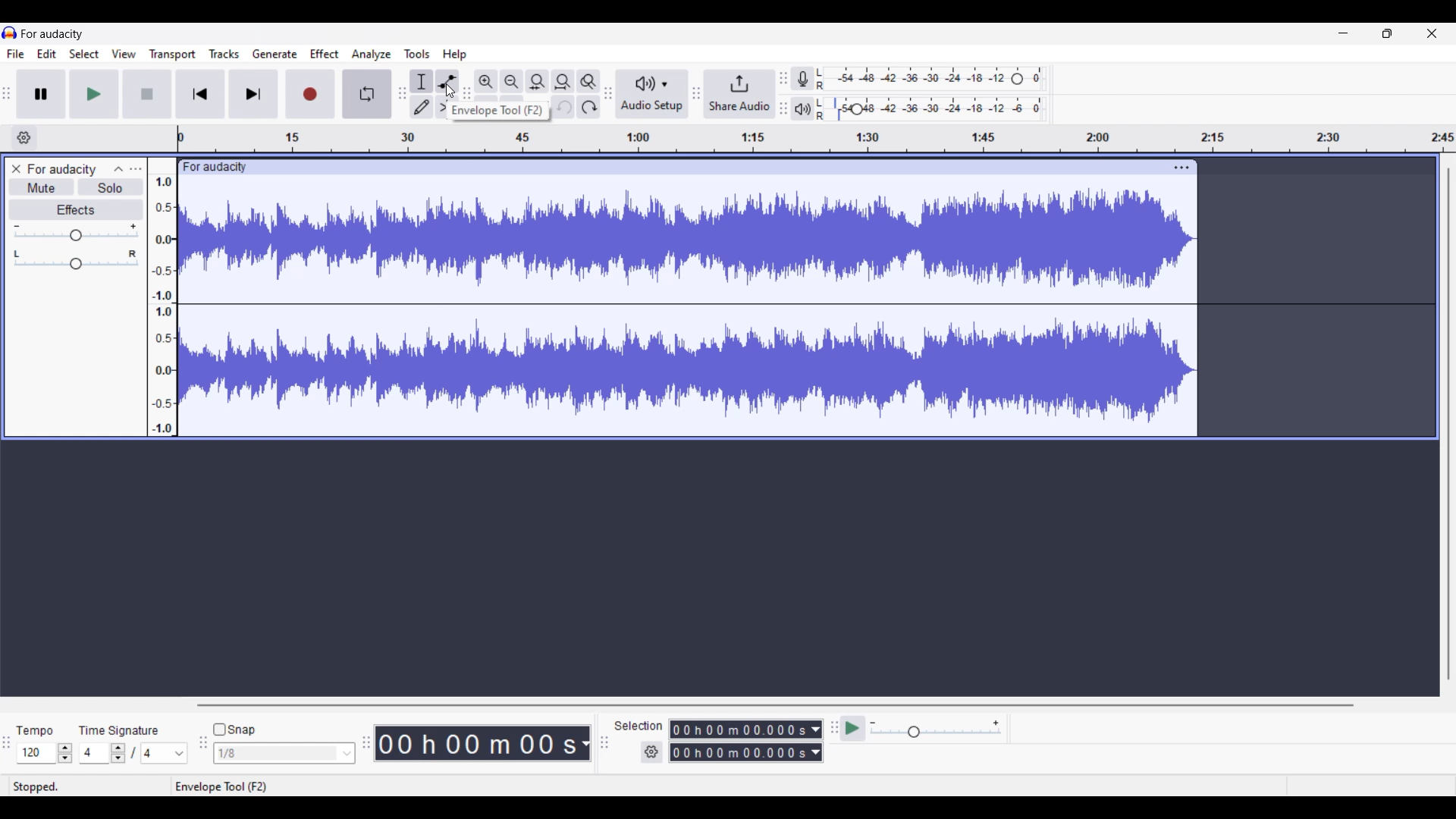 The width and height of the screenshot is (1456, 819). What do you see at coordinates (802, 108) in the screenshot?
I see `Playback meter` at bounding box center [802, 108].